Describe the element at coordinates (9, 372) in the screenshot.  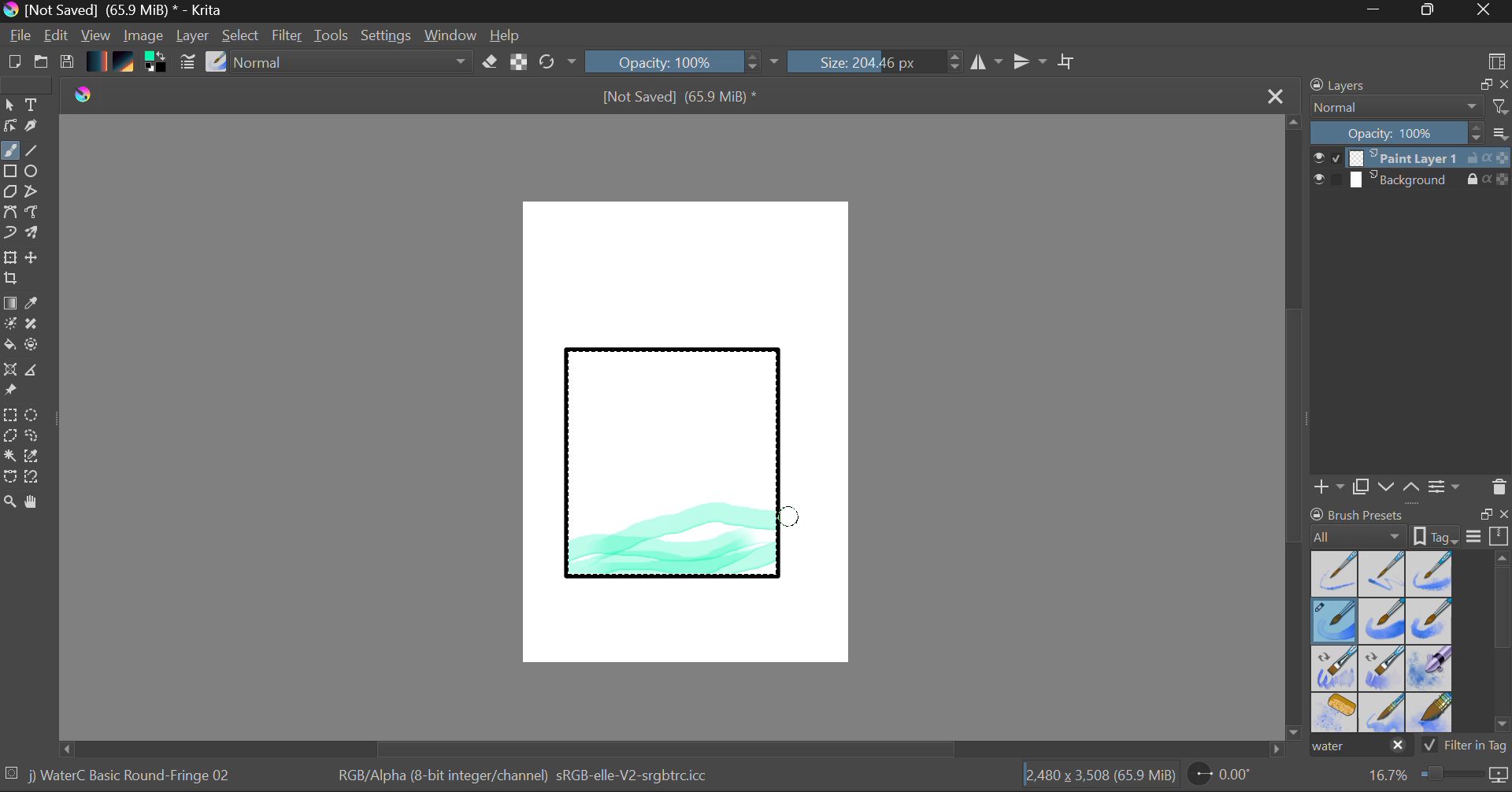
I see `Smart Assistant` at that location.